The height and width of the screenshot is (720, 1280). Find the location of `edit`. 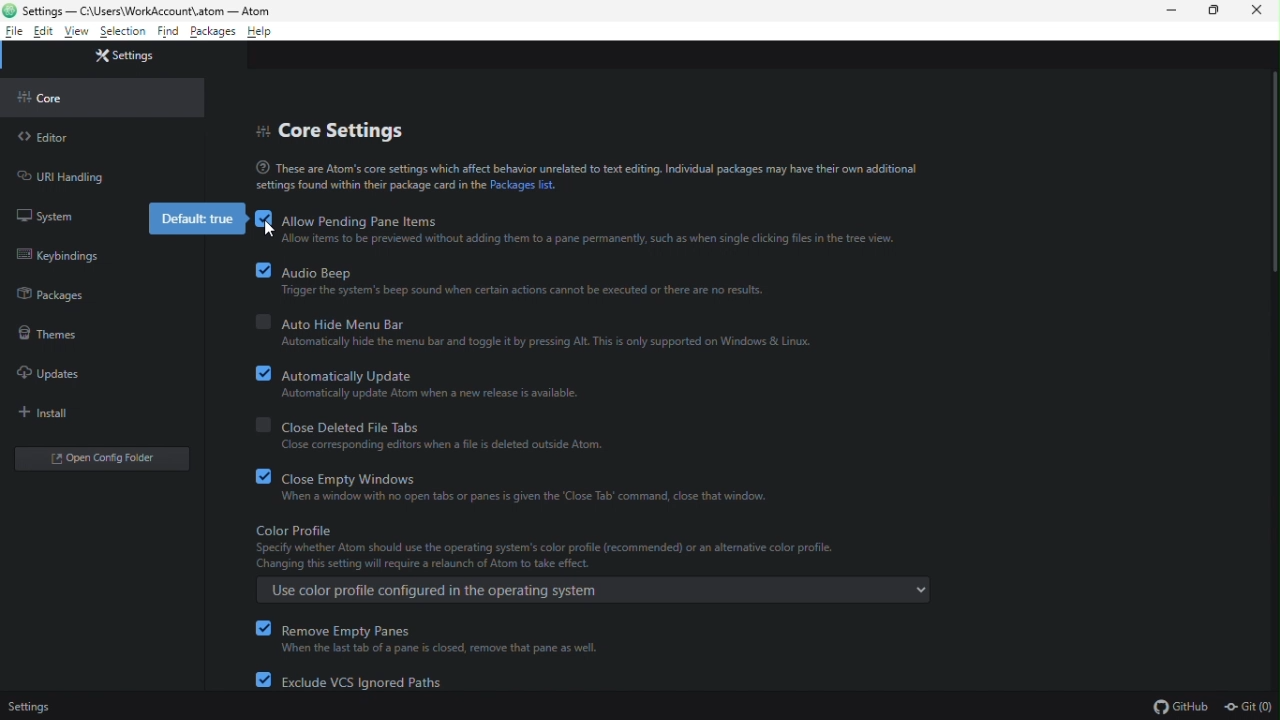

edit is located at coordinates (44, 33).